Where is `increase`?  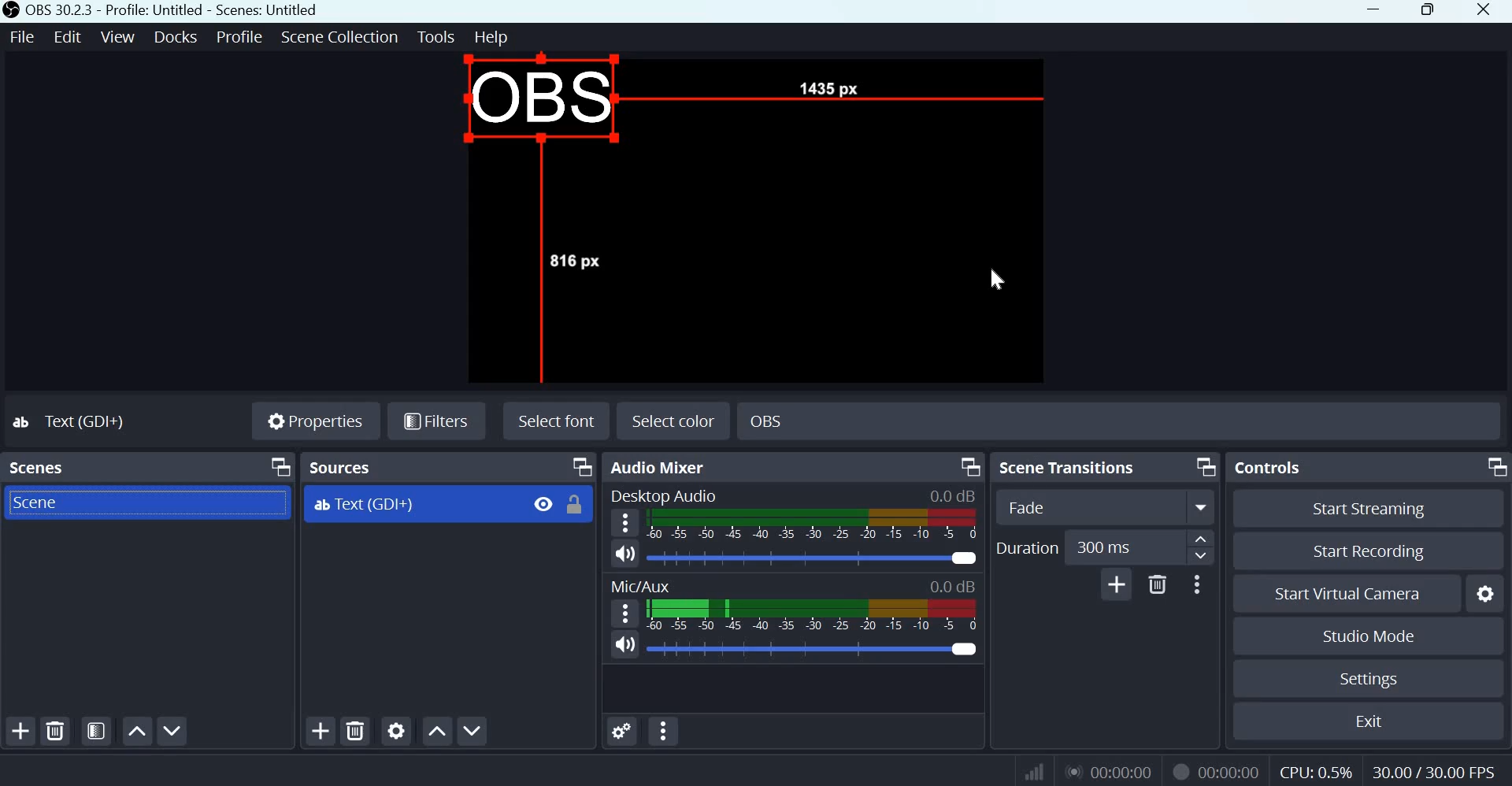
increase is located at coordinates (1202, 539).